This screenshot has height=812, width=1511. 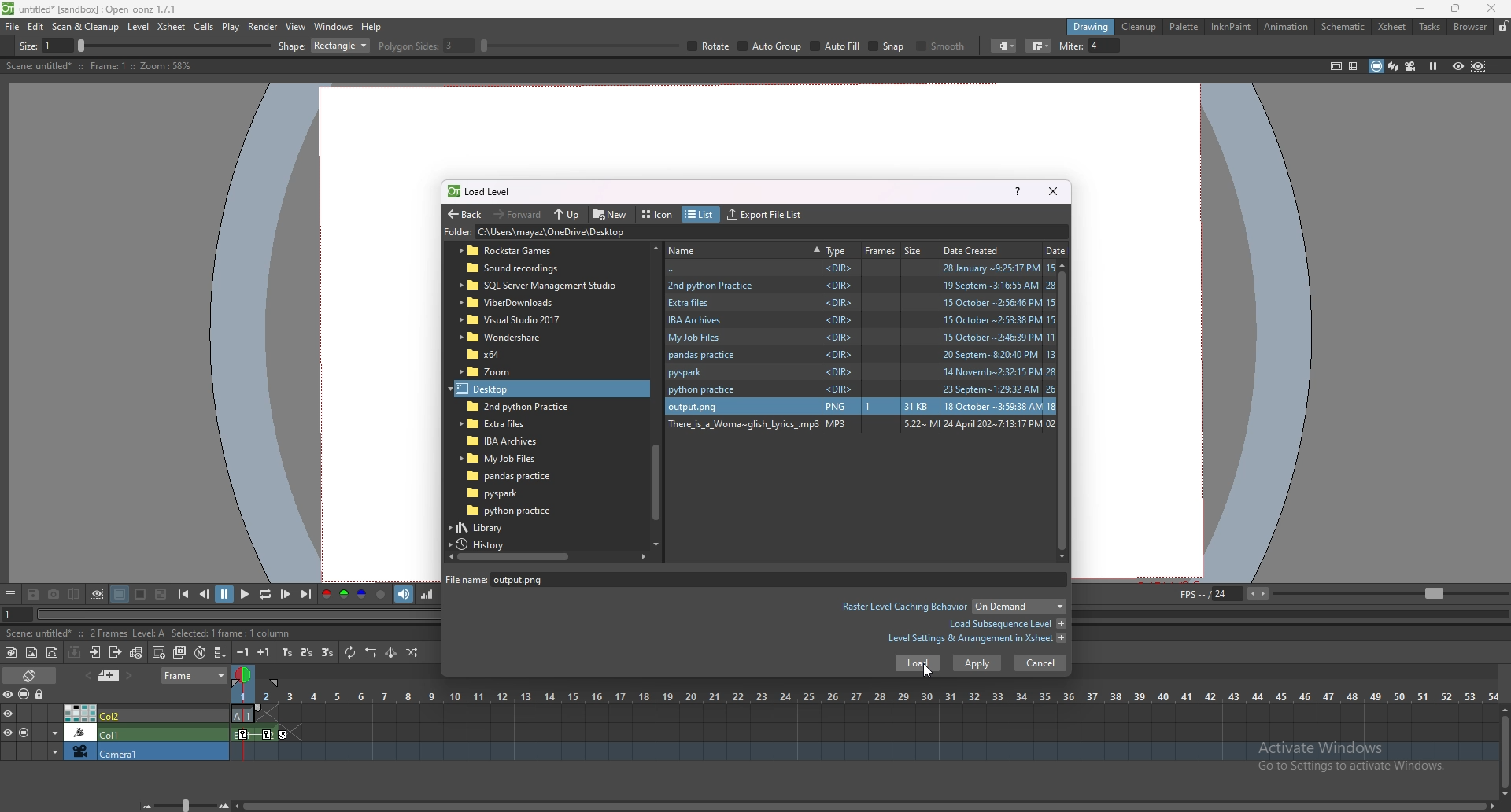 What do you see at coordinates (1018, 190) in the screenshot?
I see `help` at bounding box center [1018, 190].